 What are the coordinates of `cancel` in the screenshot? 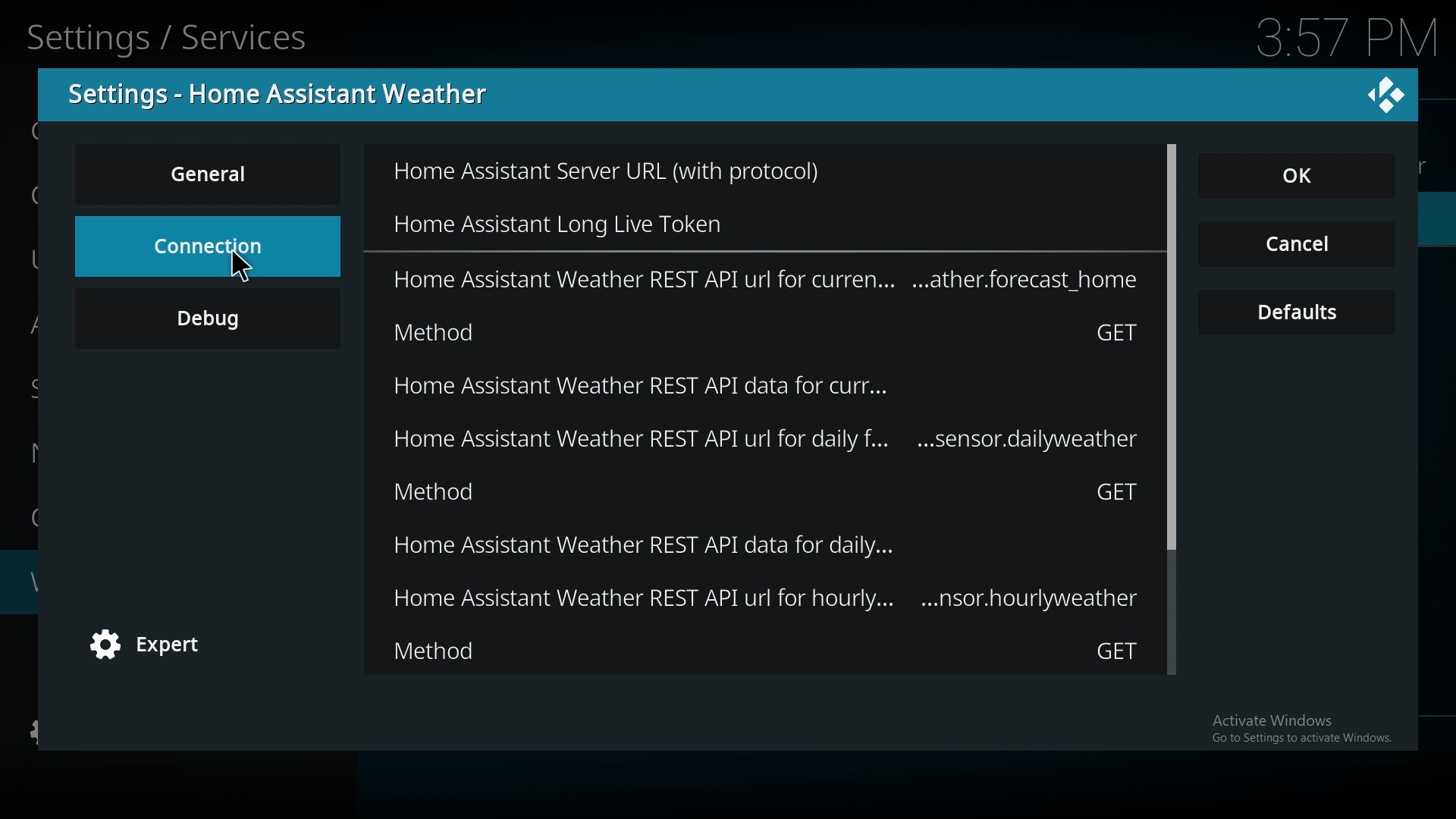 It's located at (1297, 246).